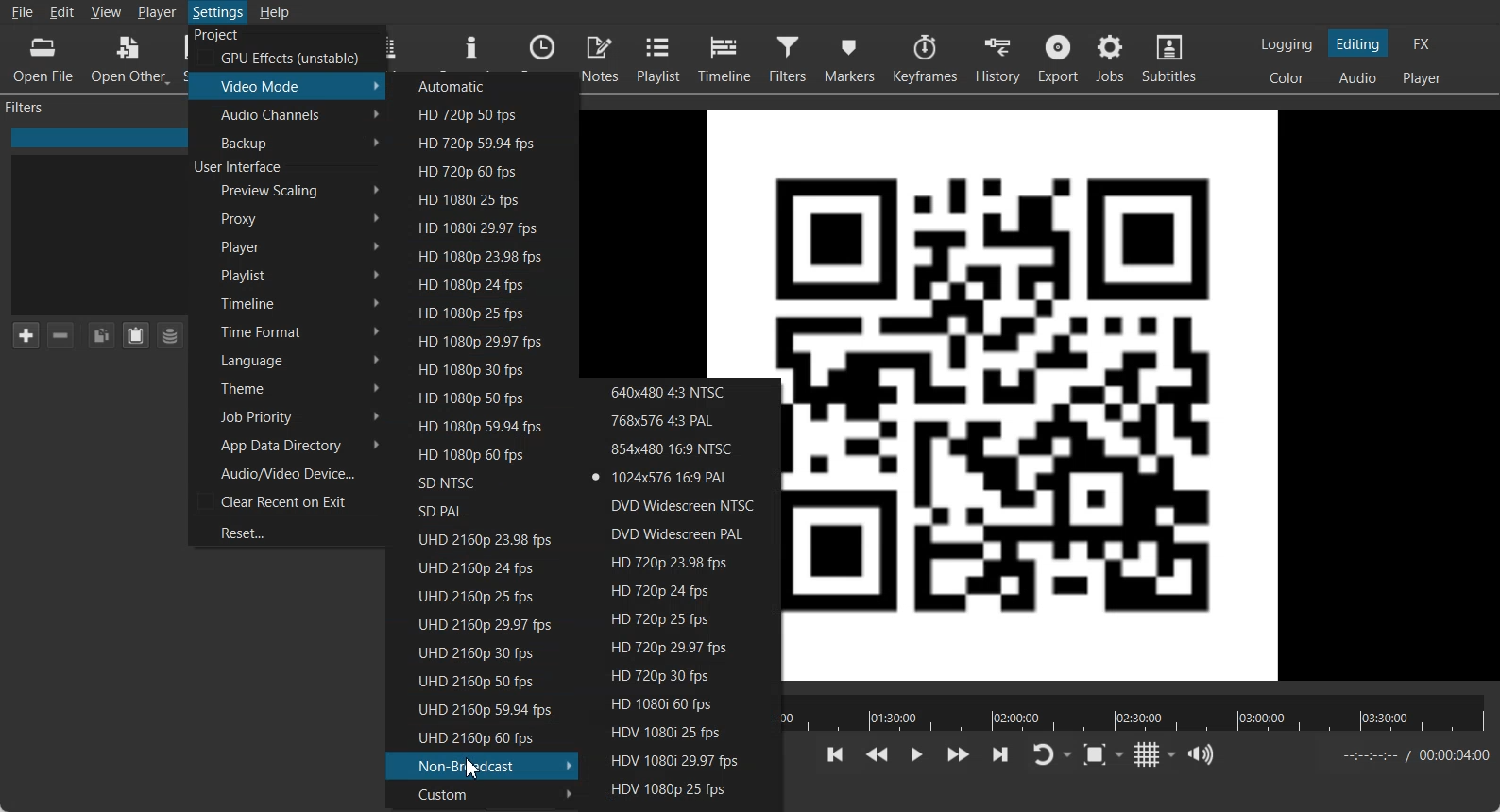 The width and height of the screenshot is (1500, 812). Describe the element at coordinates (284, 47) in the screenshot. I see `Project GPU Effect` at that location.